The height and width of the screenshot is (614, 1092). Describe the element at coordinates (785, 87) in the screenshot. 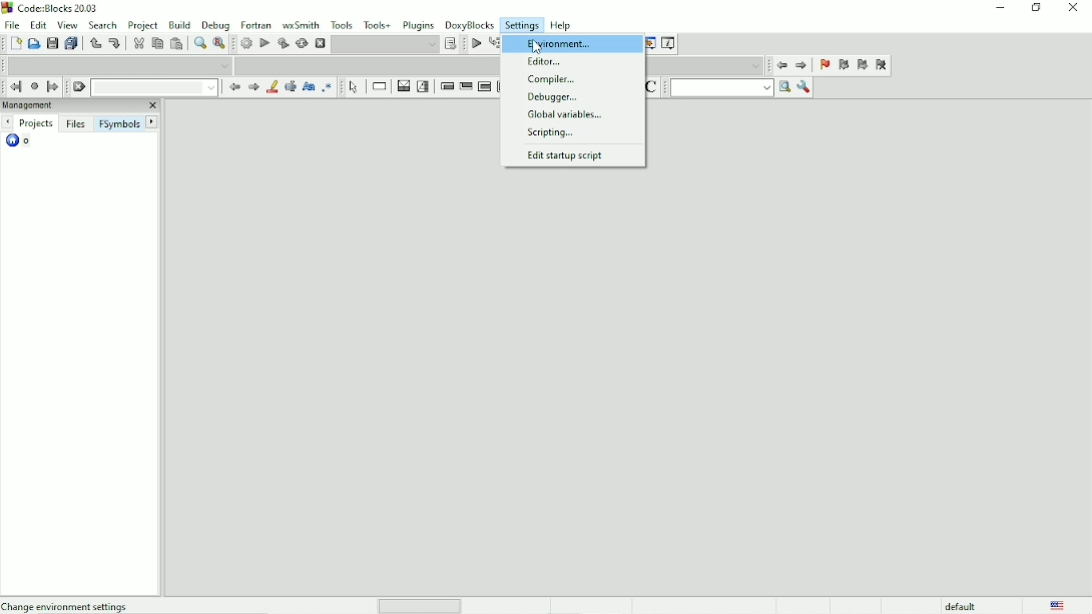

I see `search` at that location.